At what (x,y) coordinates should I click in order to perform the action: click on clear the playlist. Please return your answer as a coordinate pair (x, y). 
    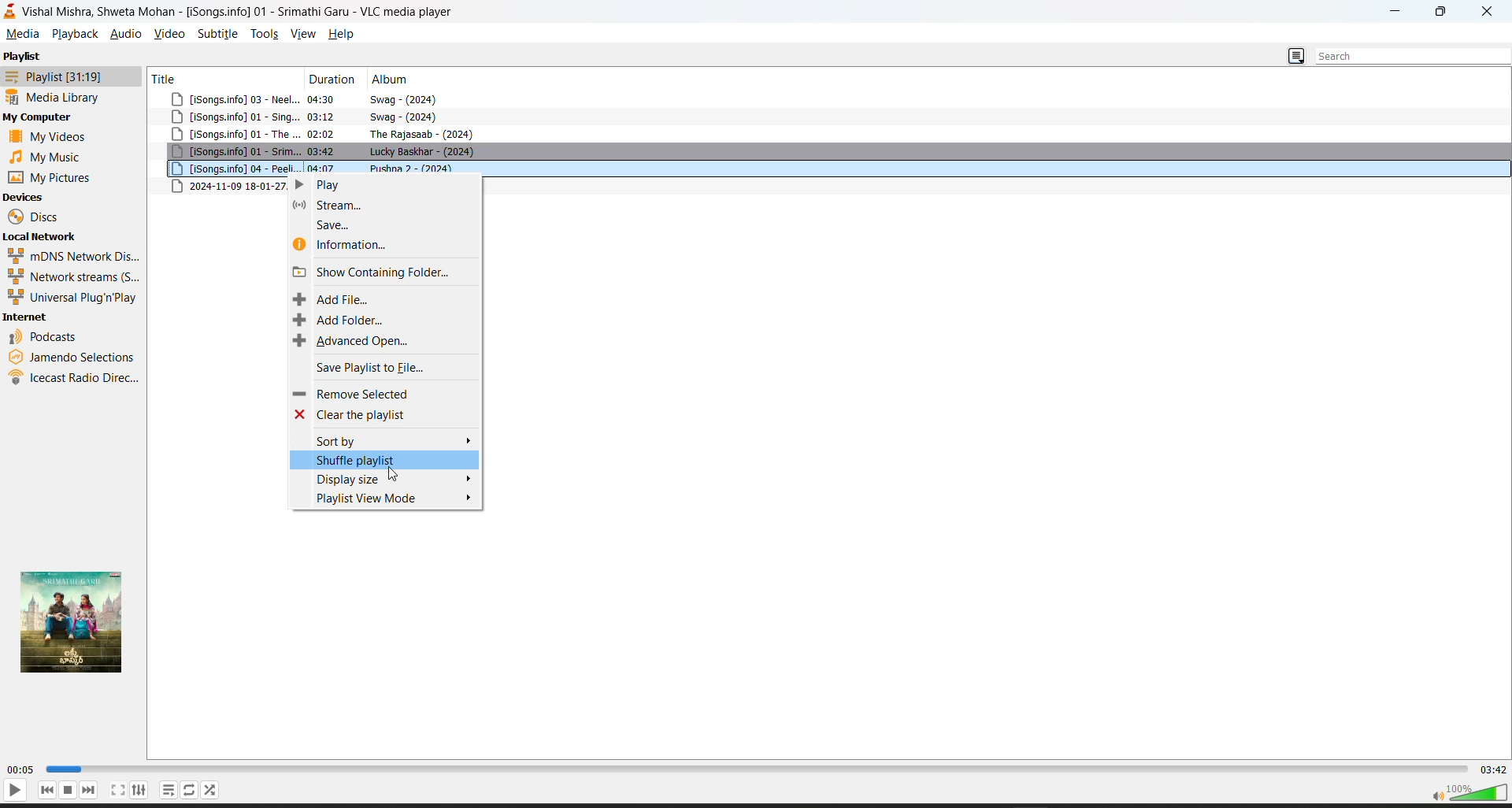
    Looking at the image, I should click on (355, 415).